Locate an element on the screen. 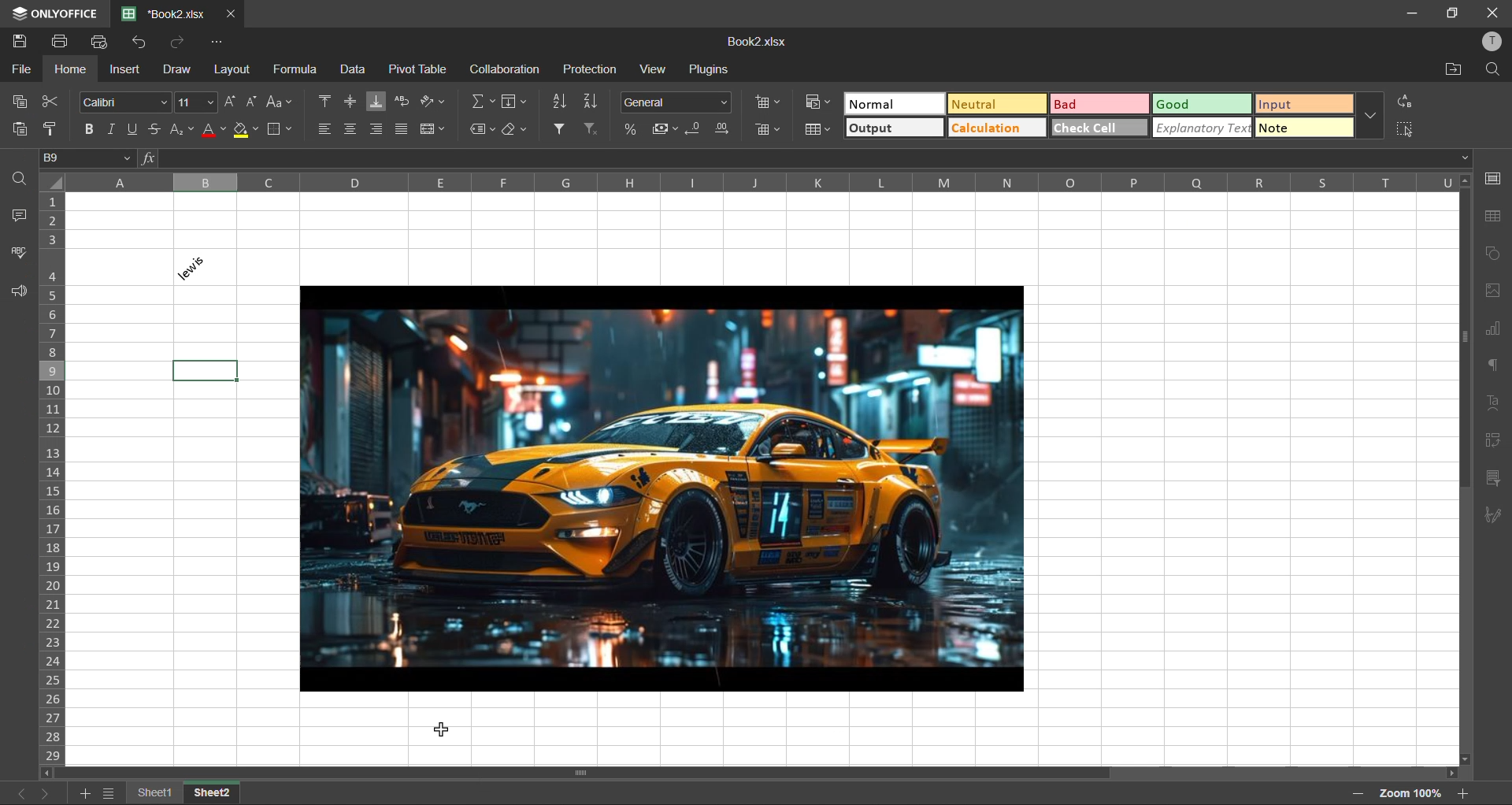 The image size is (1512, 805). filename is located at coordinates (166, 13).